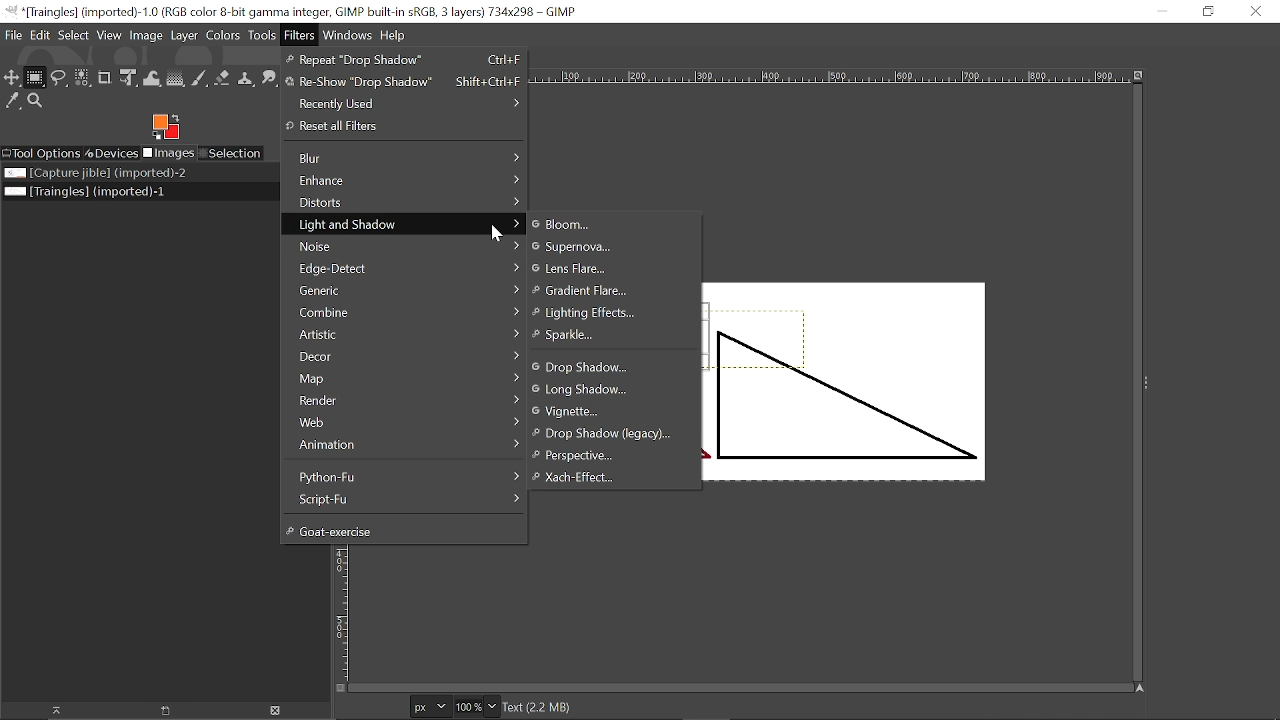 This screenshot has width=1280, height=720. I want to click on Zoom options, so click(494, 707).